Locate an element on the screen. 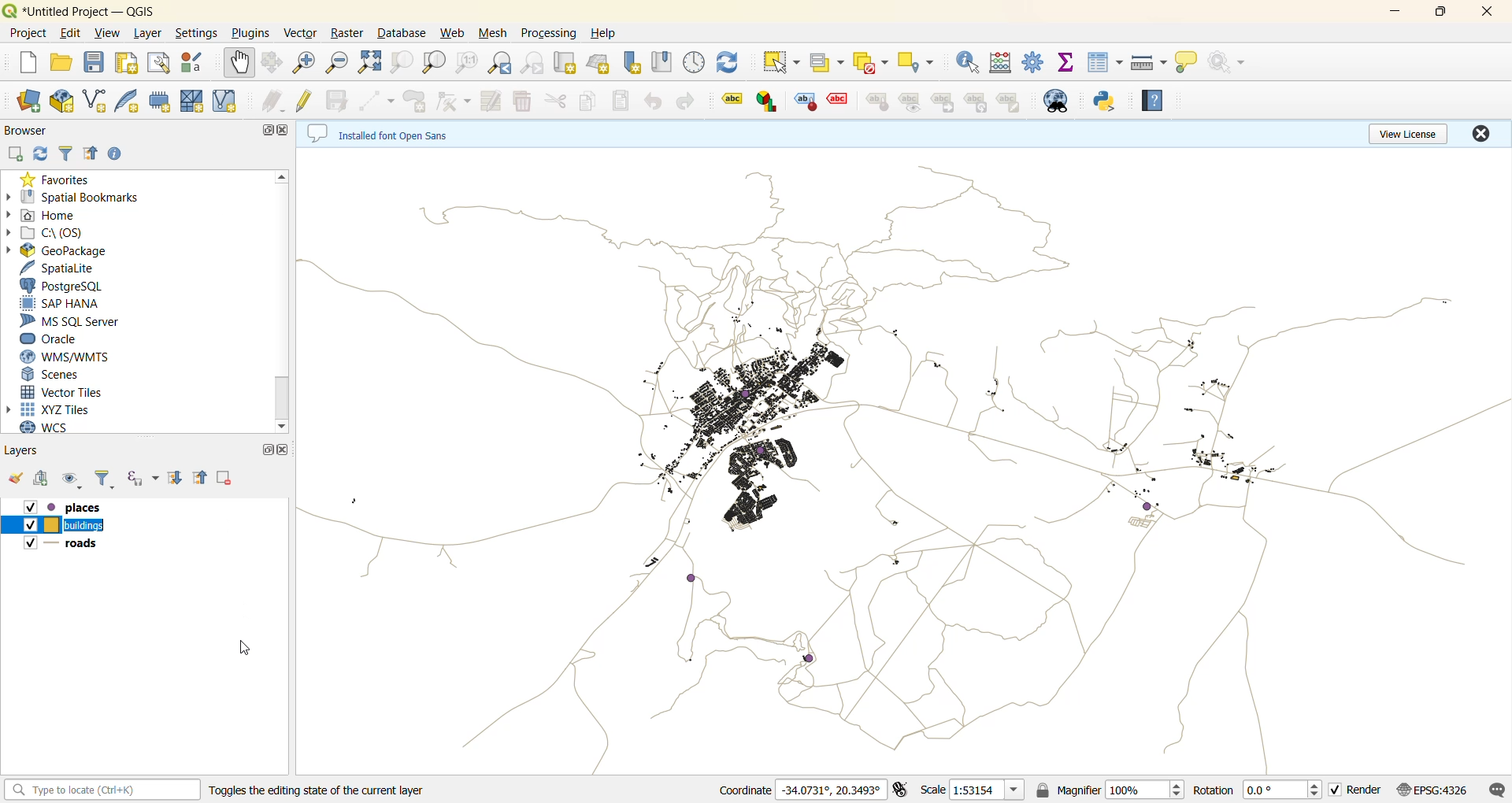  copy is located at coordinates (589, 100).